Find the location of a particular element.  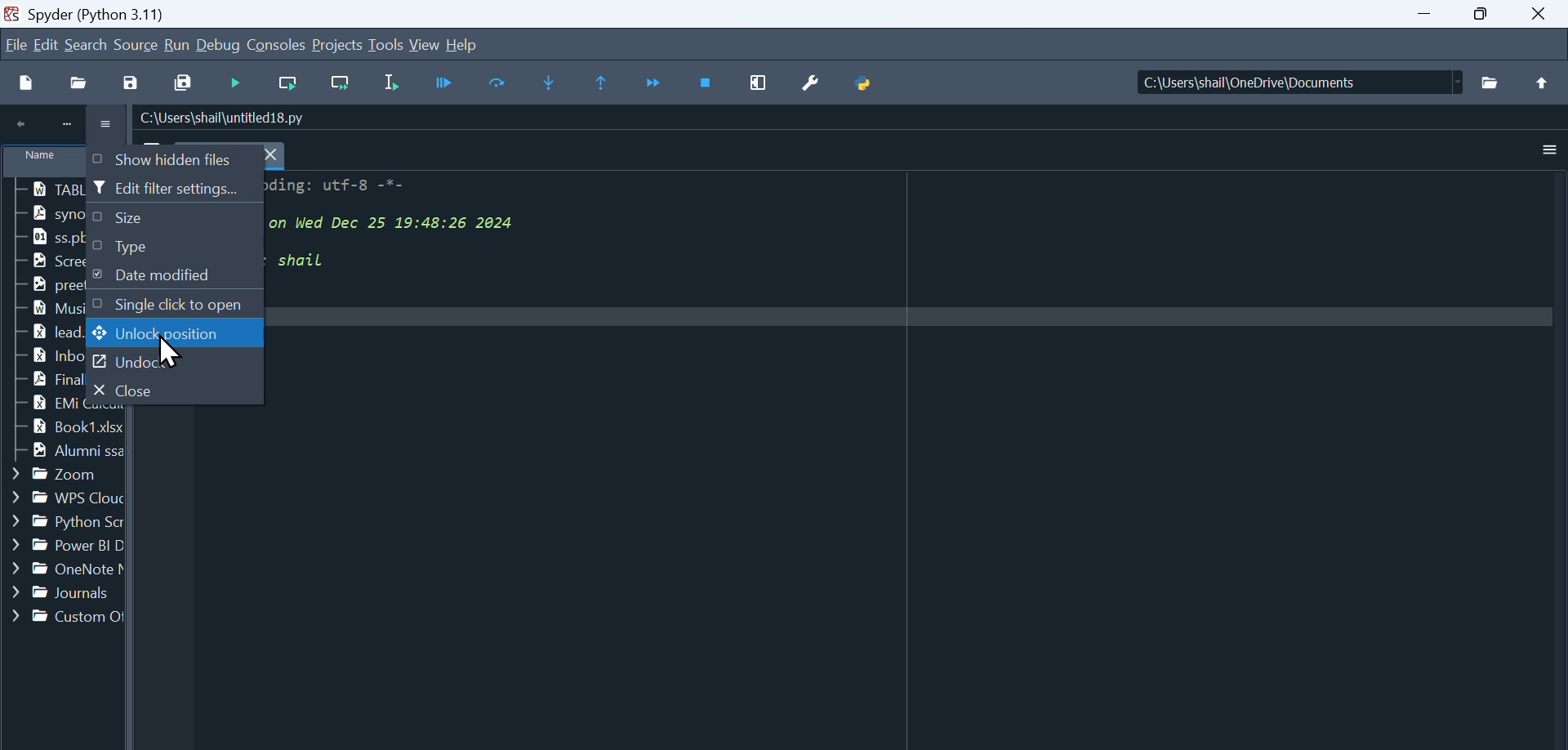

Alumni ss.. is located at coordinates (62, 453).